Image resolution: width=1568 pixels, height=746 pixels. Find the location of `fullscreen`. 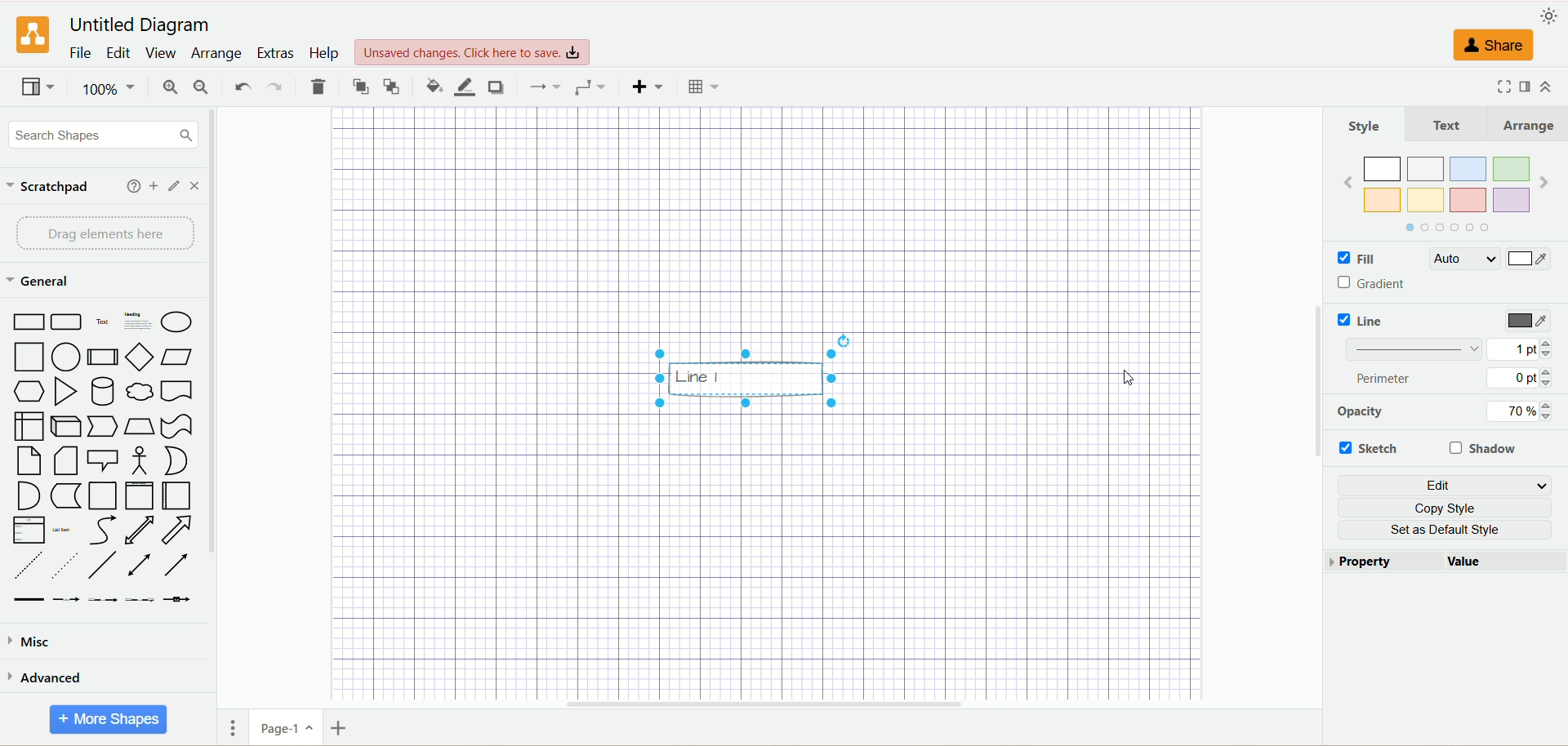

fullscreen is located at coordinates (1499, 87).